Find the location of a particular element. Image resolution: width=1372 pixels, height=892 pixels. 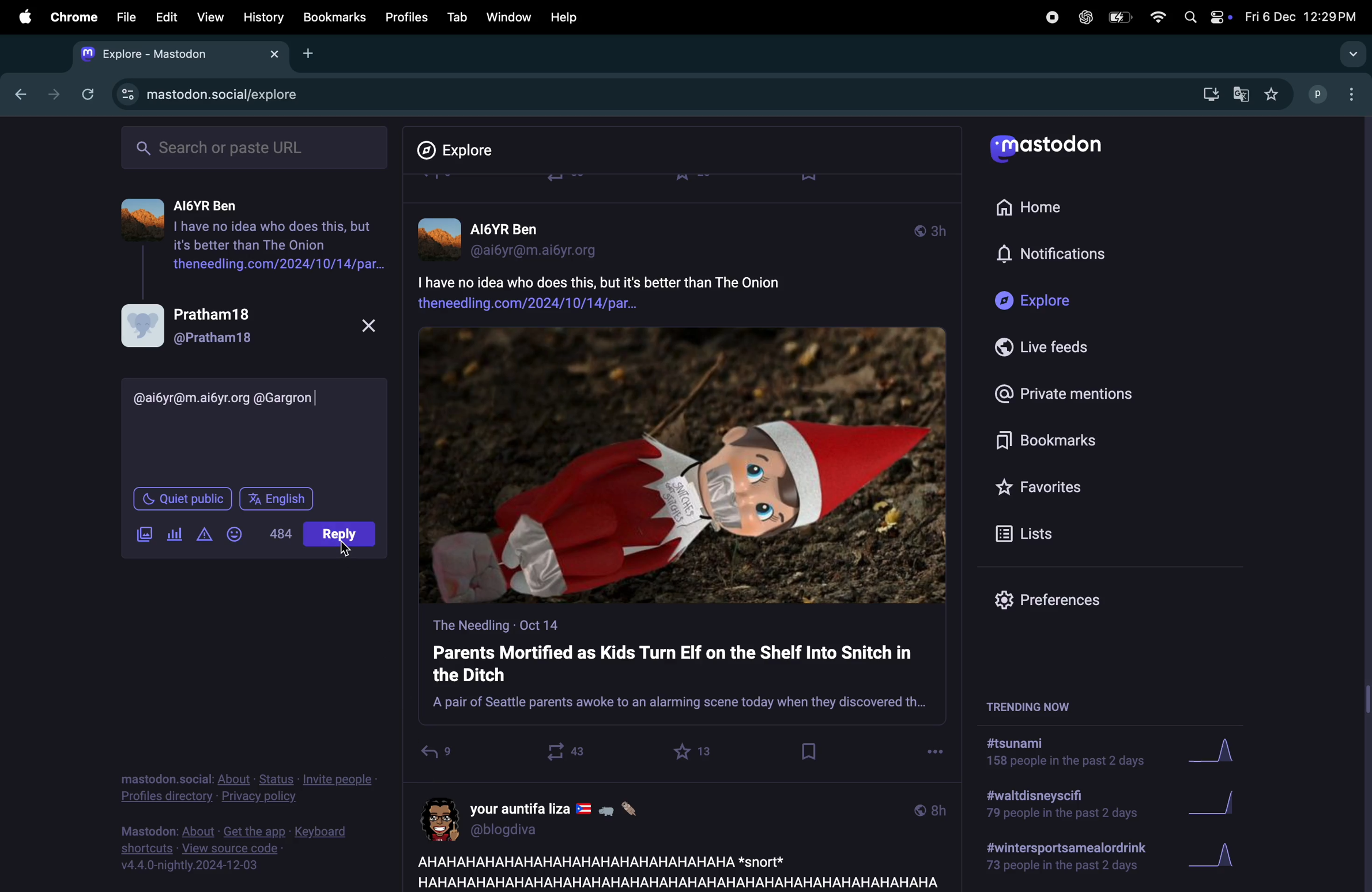

wifi is located at coordinates (1157, 17).